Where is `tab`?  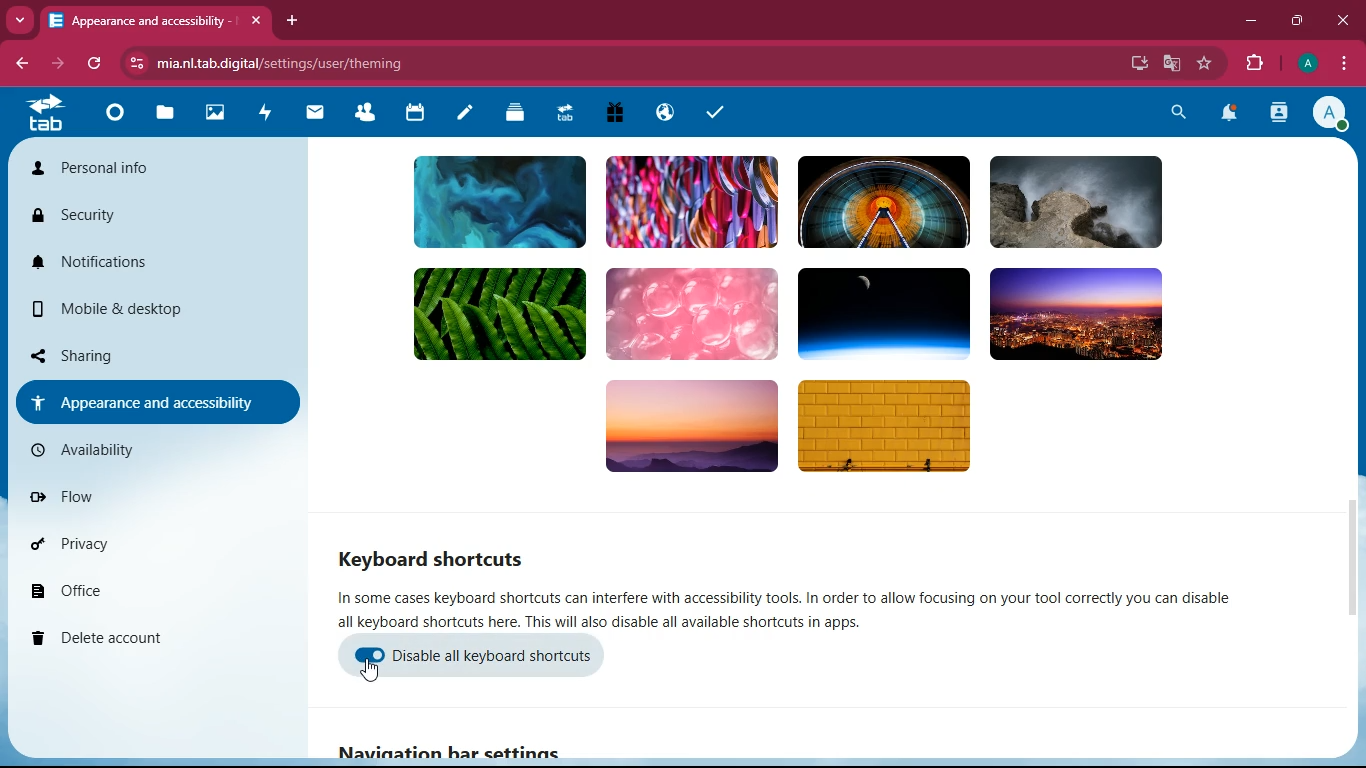 tab is located at coordinates (154, 16).